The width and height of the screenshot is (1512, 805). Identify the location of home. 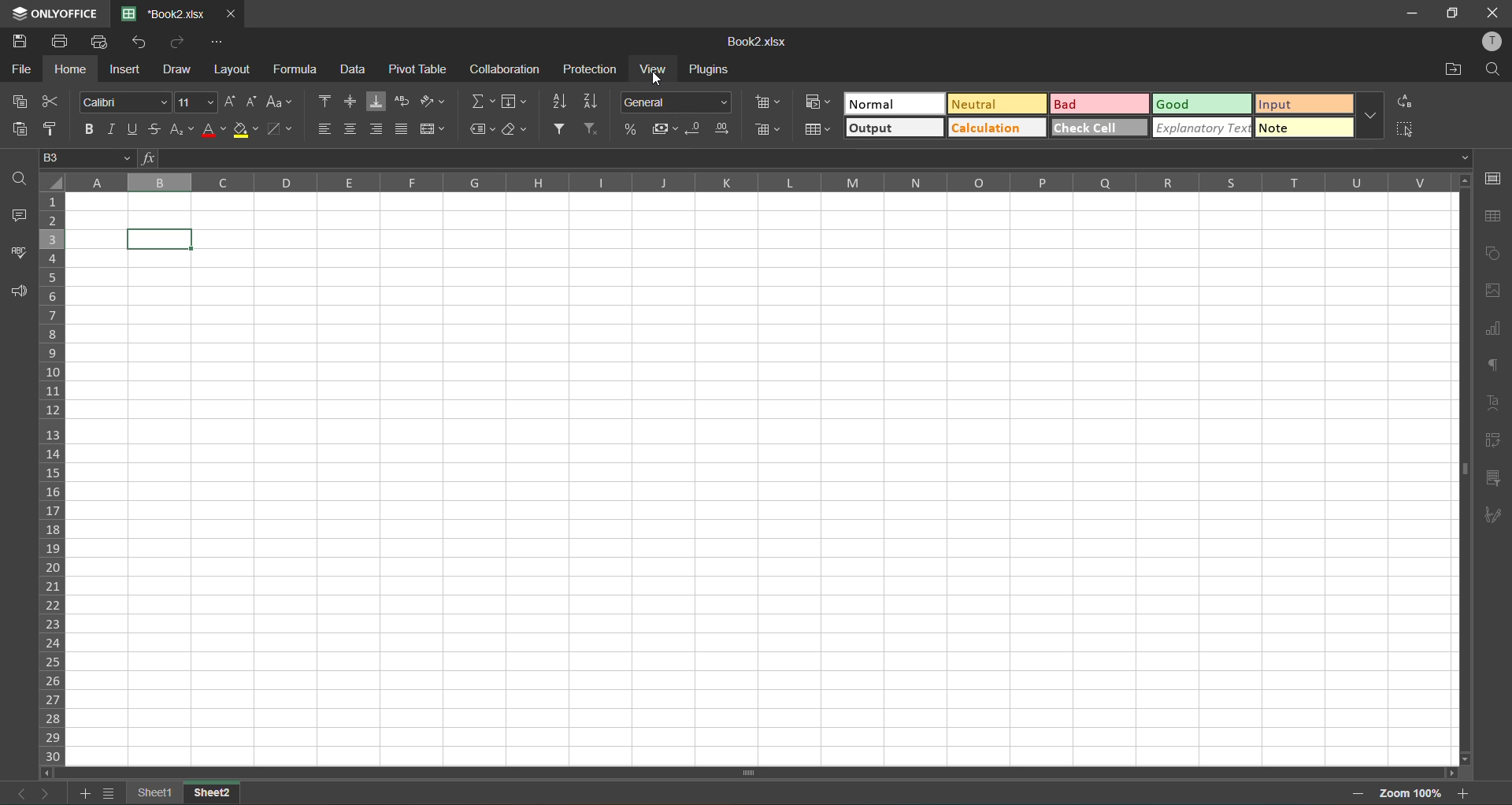
(75, 70).